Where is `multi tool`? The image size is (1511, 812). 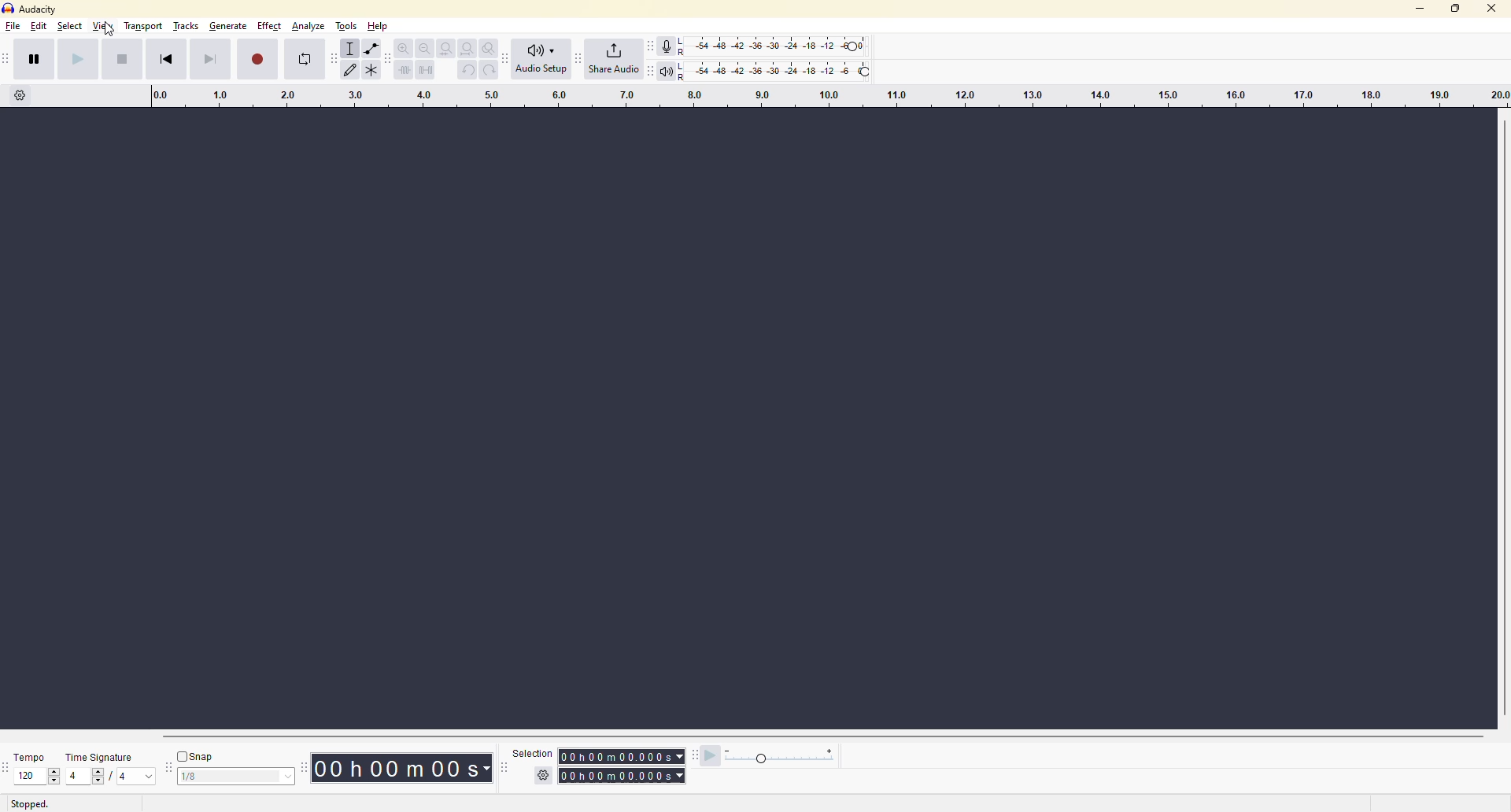
multi tool is located at coordinates (375, 72).